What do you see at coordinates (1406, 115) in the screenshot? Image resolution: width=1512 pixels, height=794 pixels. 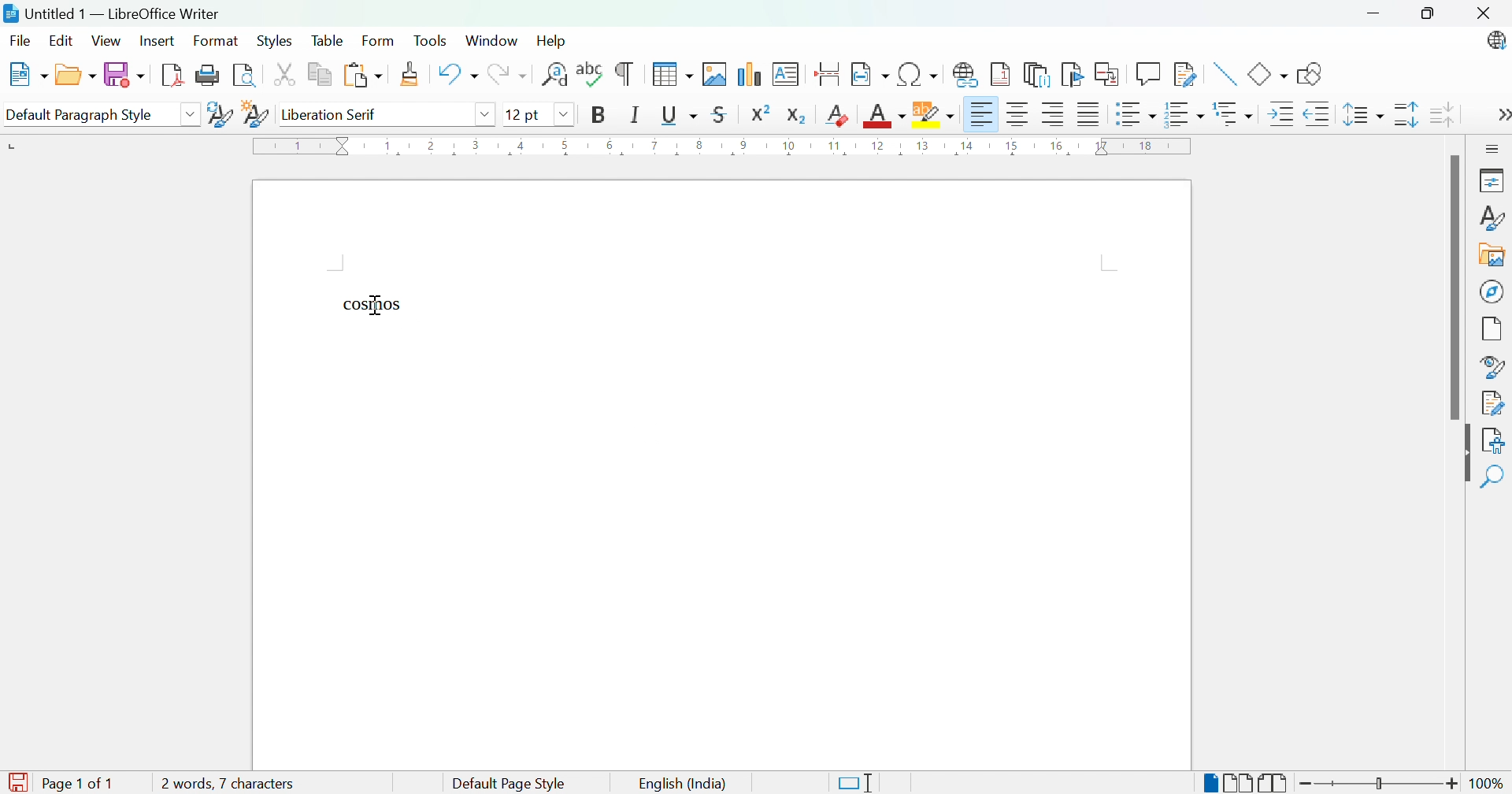 I see `Increase line spacing` at bounding box center [1406, 115].